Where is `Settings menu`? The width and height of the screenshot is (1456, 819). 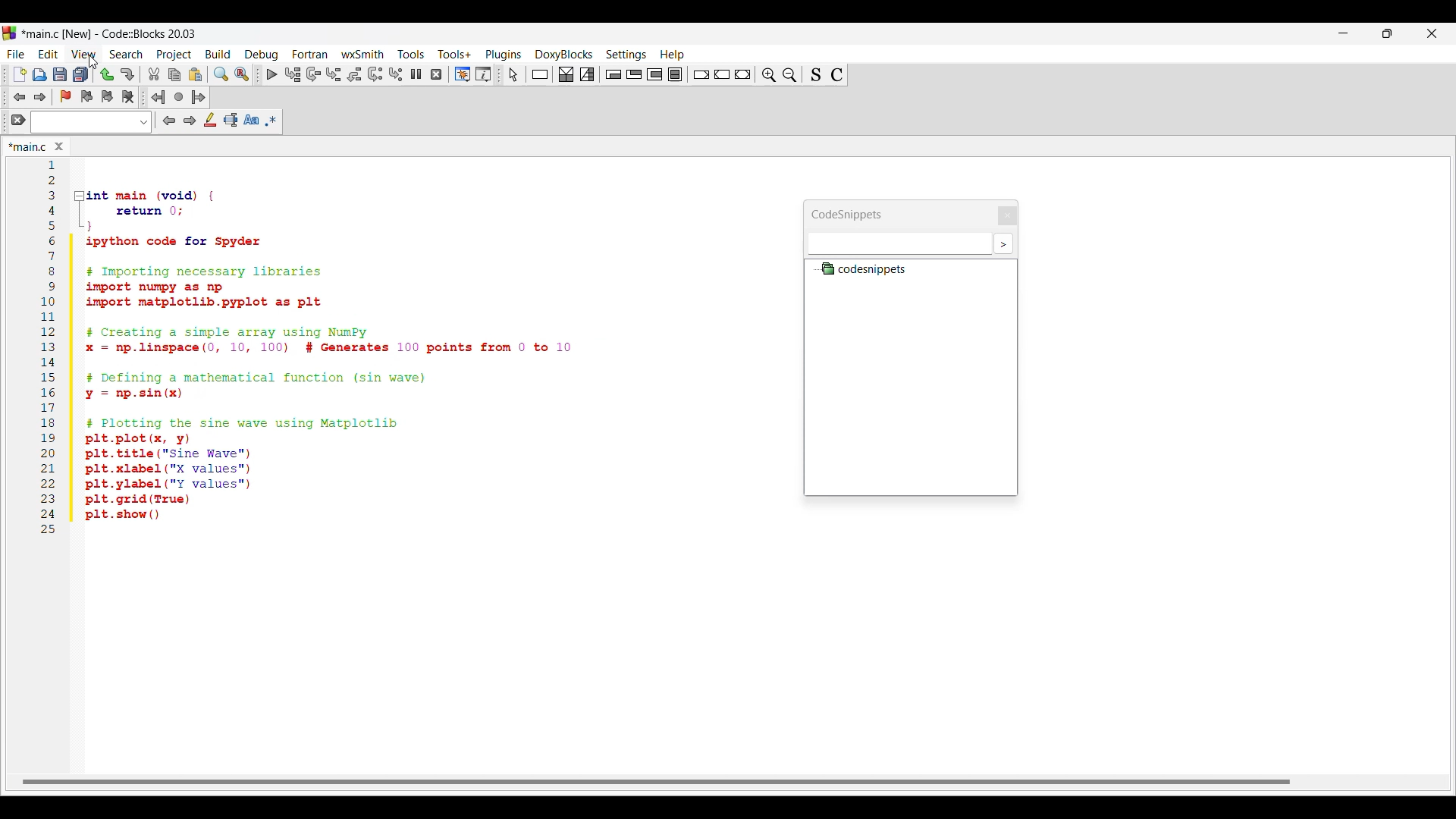
Settings menu is located at coordinates (626, 55).